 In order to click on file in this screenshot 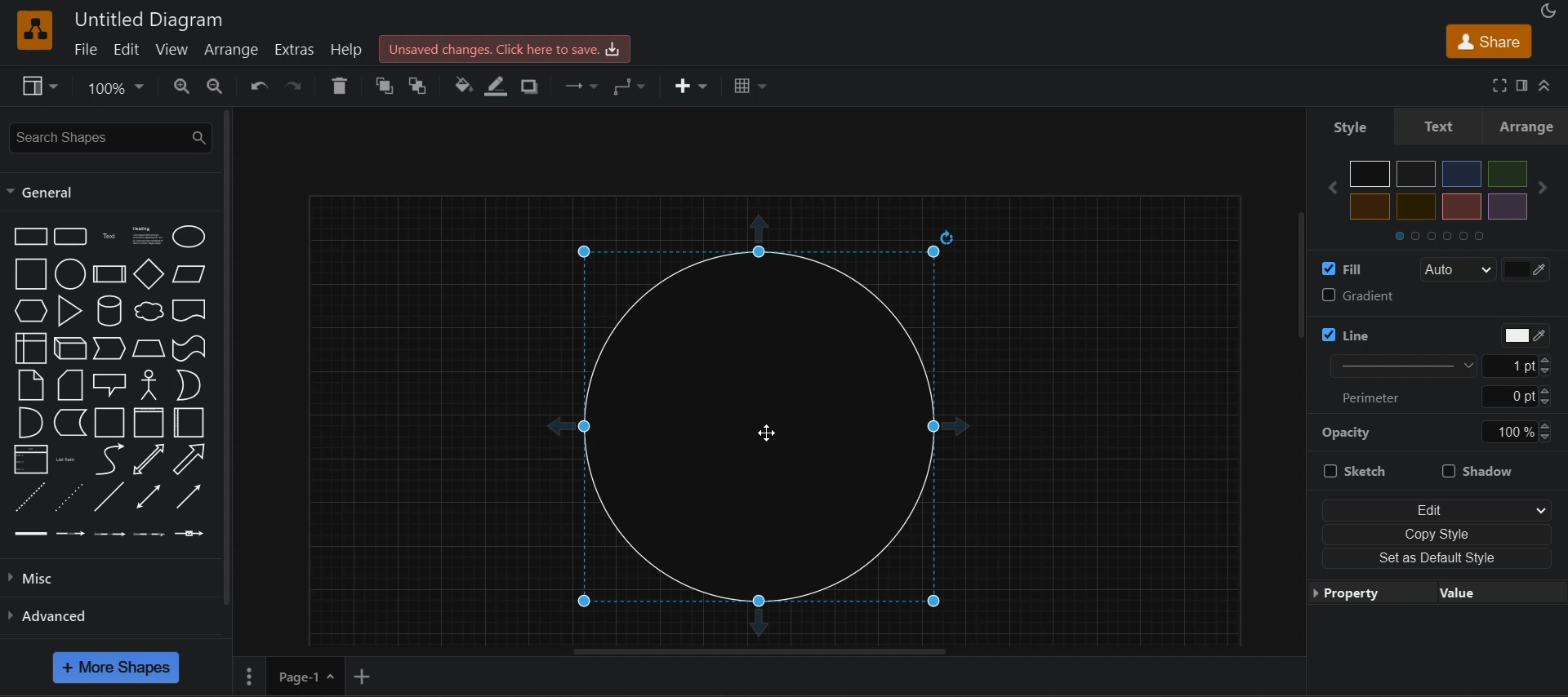, I will do `click(88, 51)`.